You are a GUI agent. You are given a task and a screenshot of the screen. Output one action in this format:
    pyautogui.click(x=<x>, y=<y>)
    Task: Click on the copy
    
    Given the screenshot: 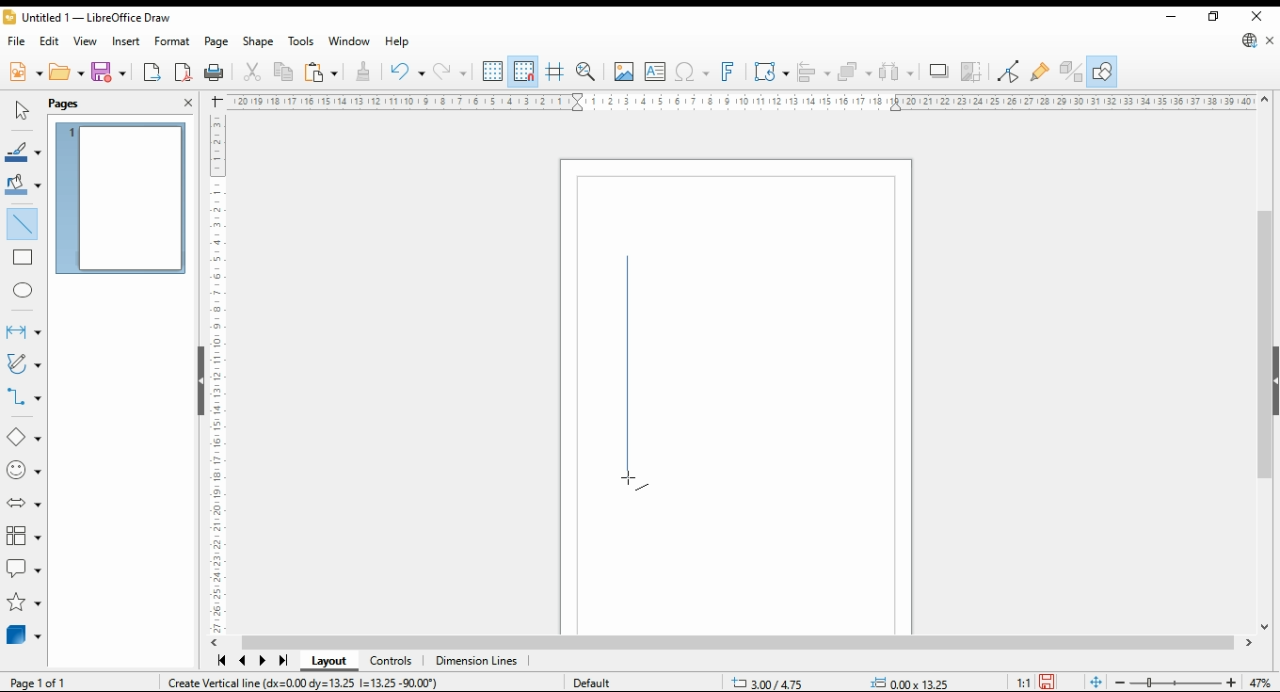 What is the action you would take?
    pyautogui.click(x=282, y=73)
    